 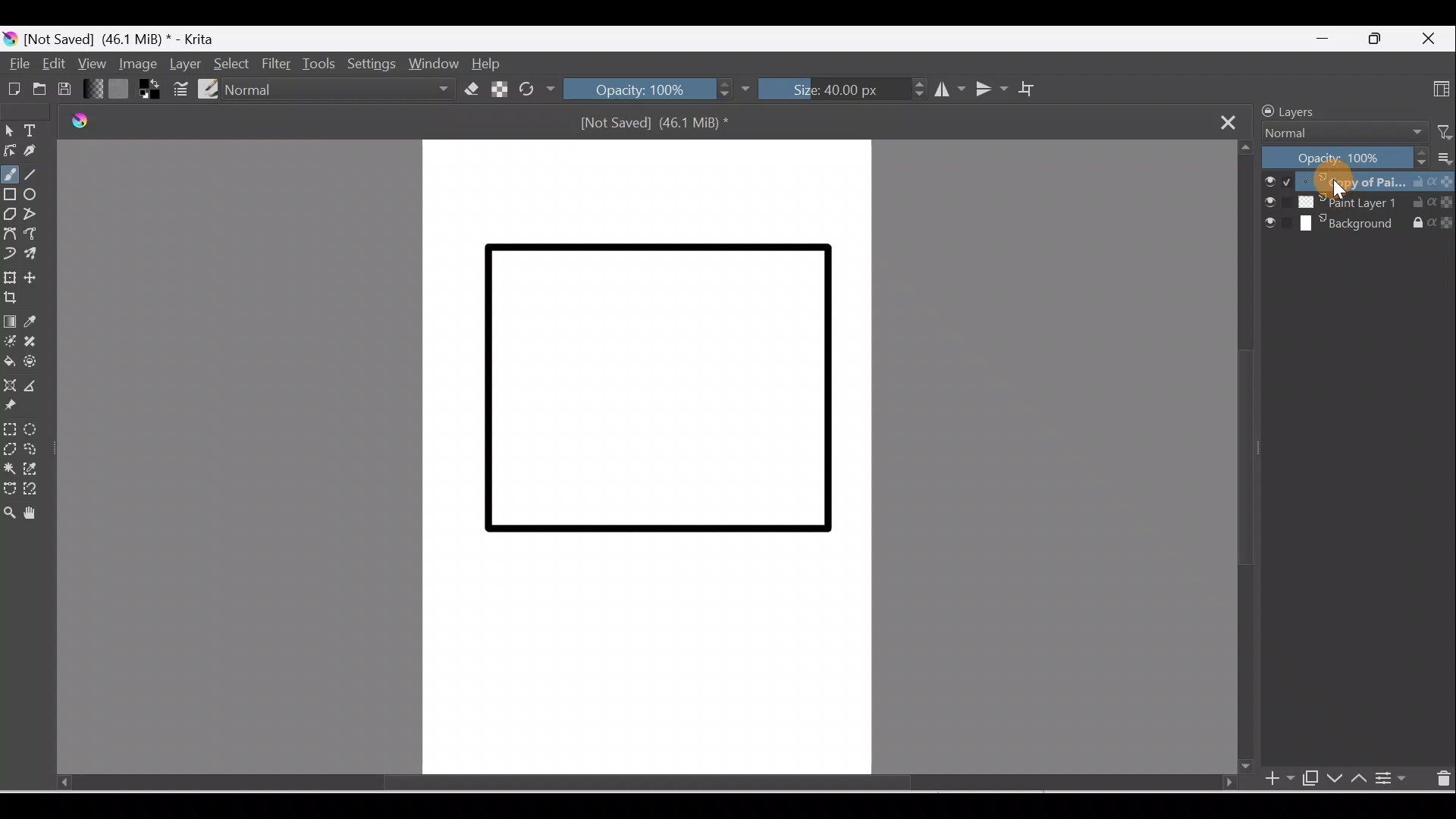 What do you see at coordinates (11, 322) in the screenshot?
I see `Draw a gradient` at bounding box center [11, 322].